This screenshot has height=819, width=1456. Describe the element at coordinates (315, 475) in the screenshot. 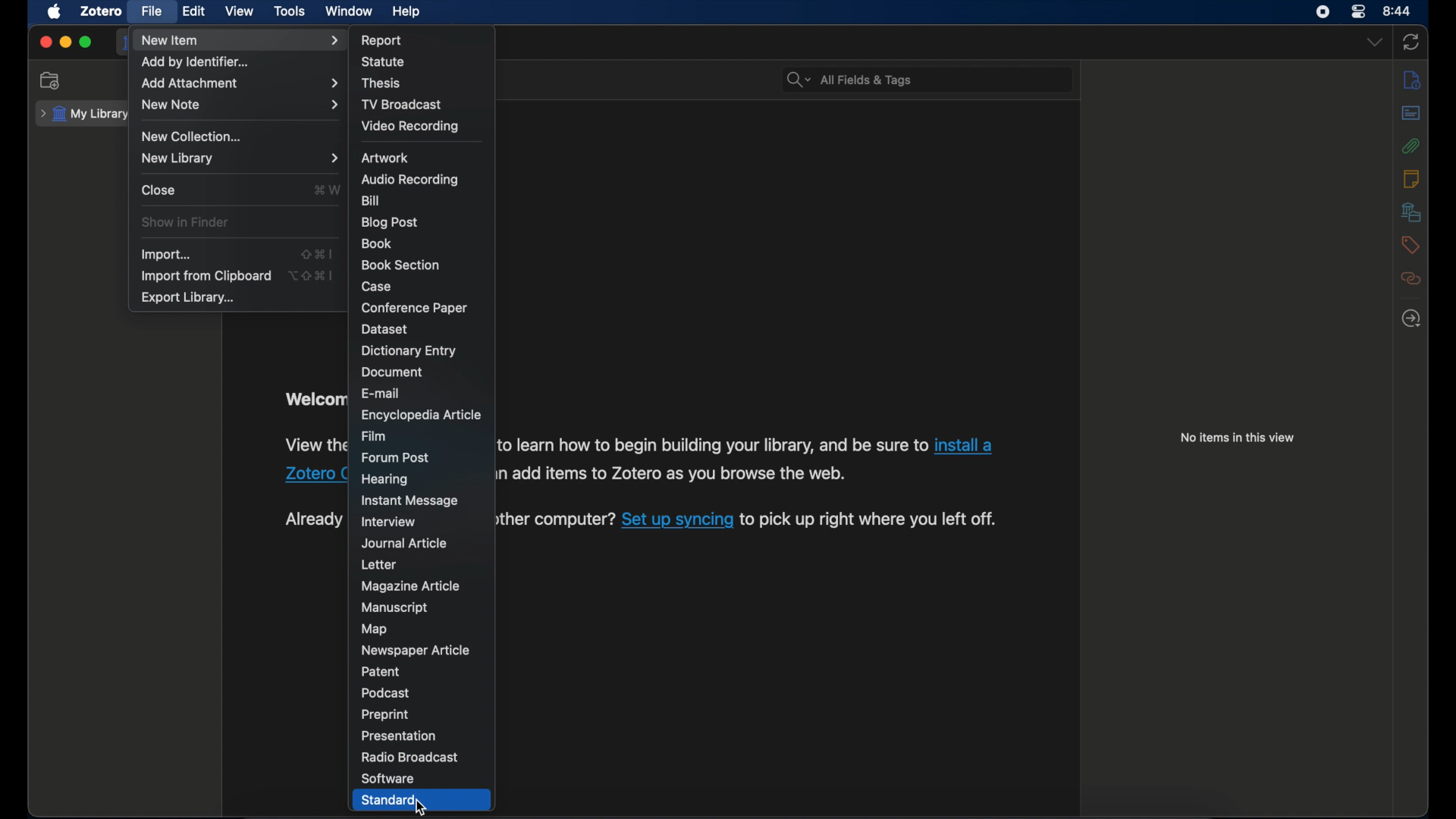

I see `Zotero connector link` at that location.